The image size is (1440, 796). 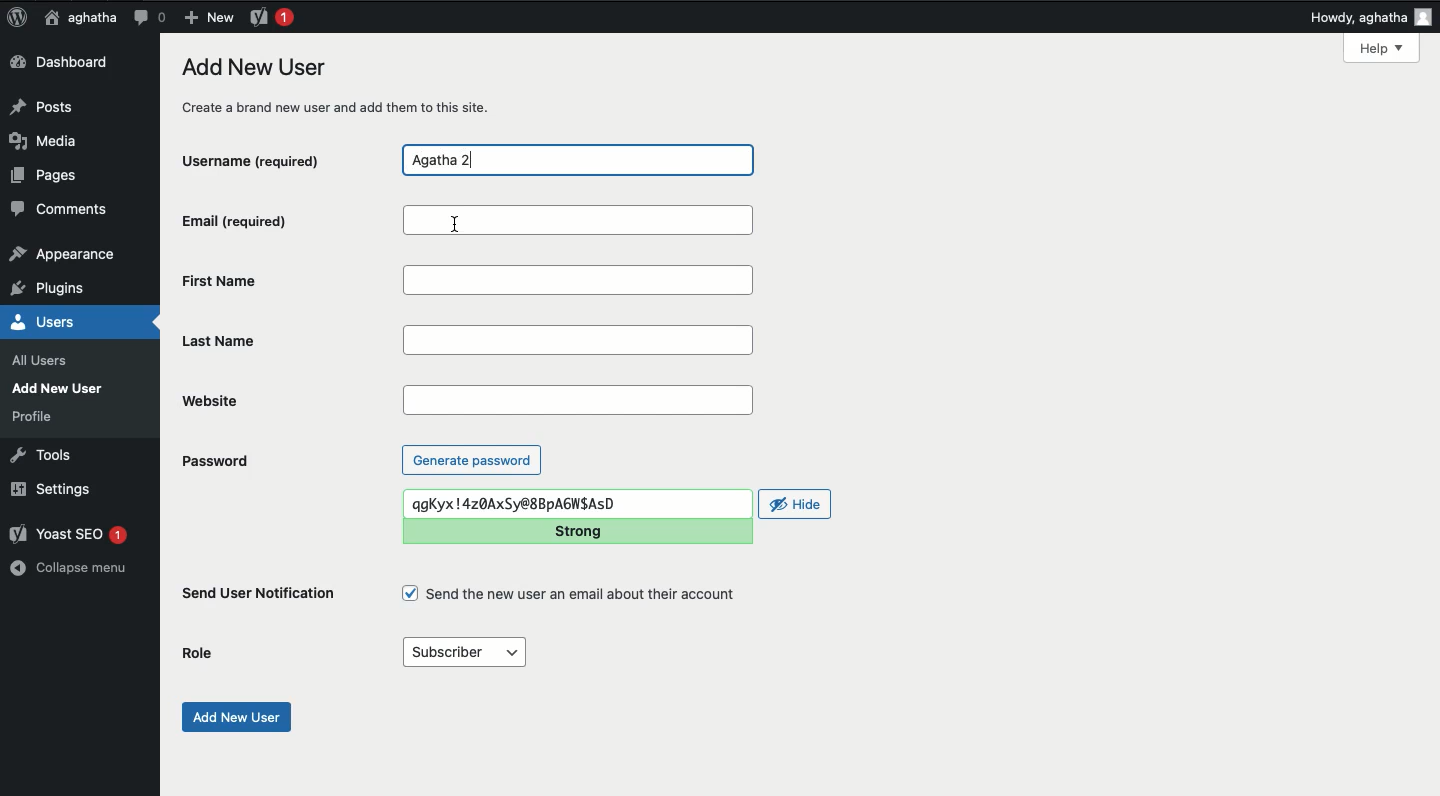 What do you see at coordinates (45, 361) in the screenshot?
I see `all users` at bounding box center [45, 361].